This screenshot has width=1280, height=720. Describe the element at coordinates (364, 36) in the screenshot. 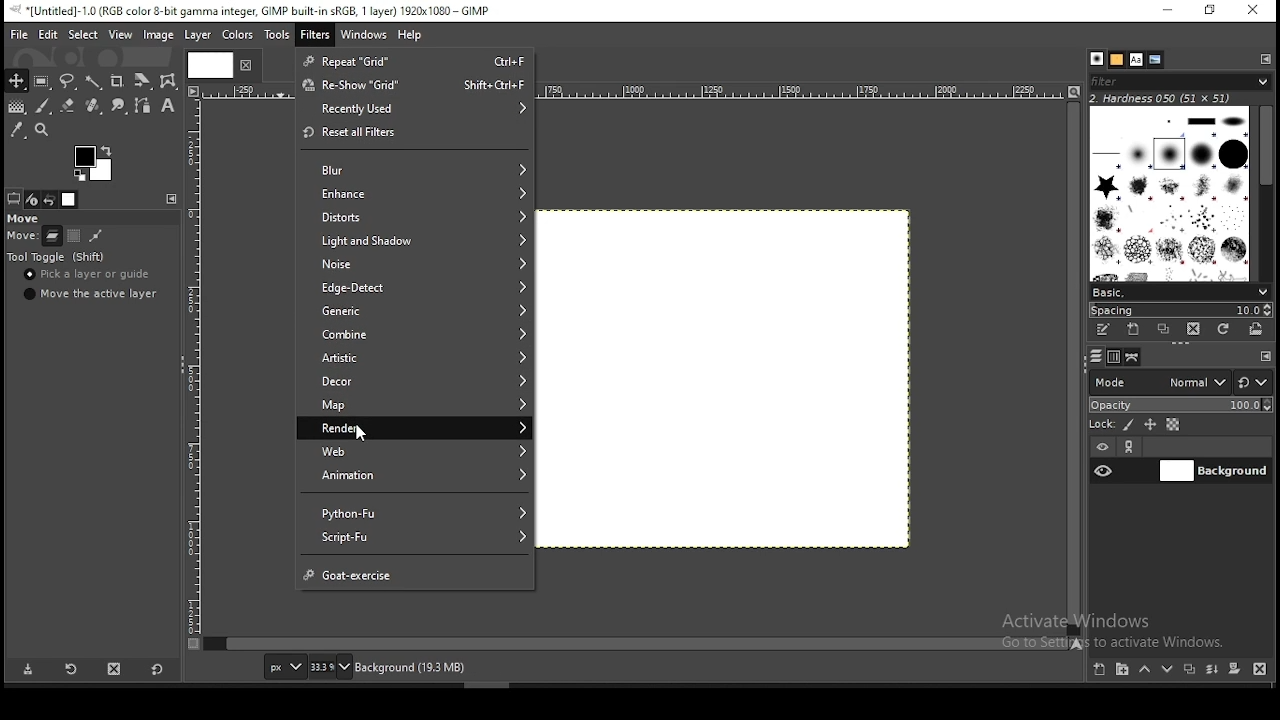

I see `windows` at that location.